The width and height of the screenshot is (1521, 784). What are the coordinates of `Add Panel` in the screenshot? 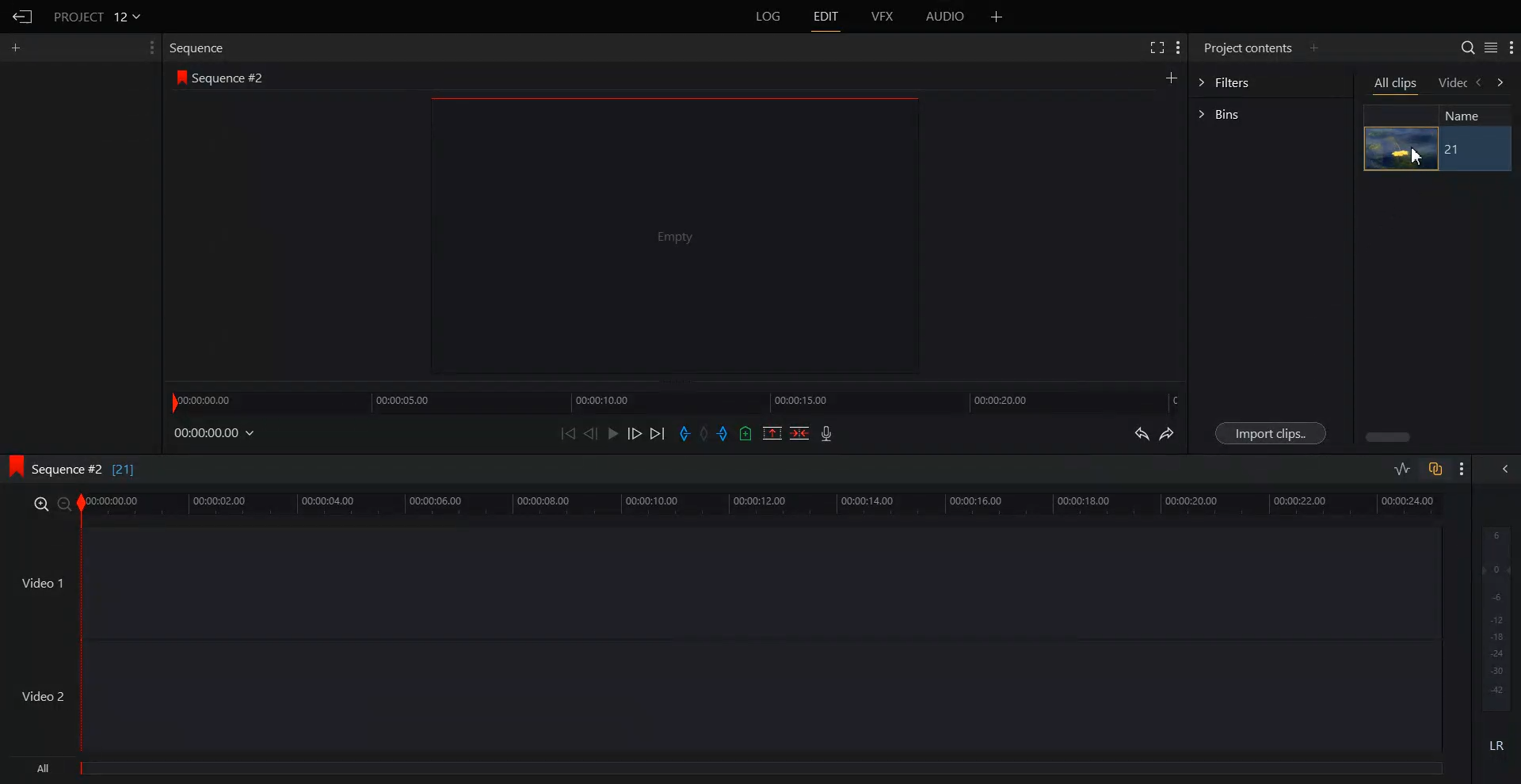 It's located at (1314, 47).